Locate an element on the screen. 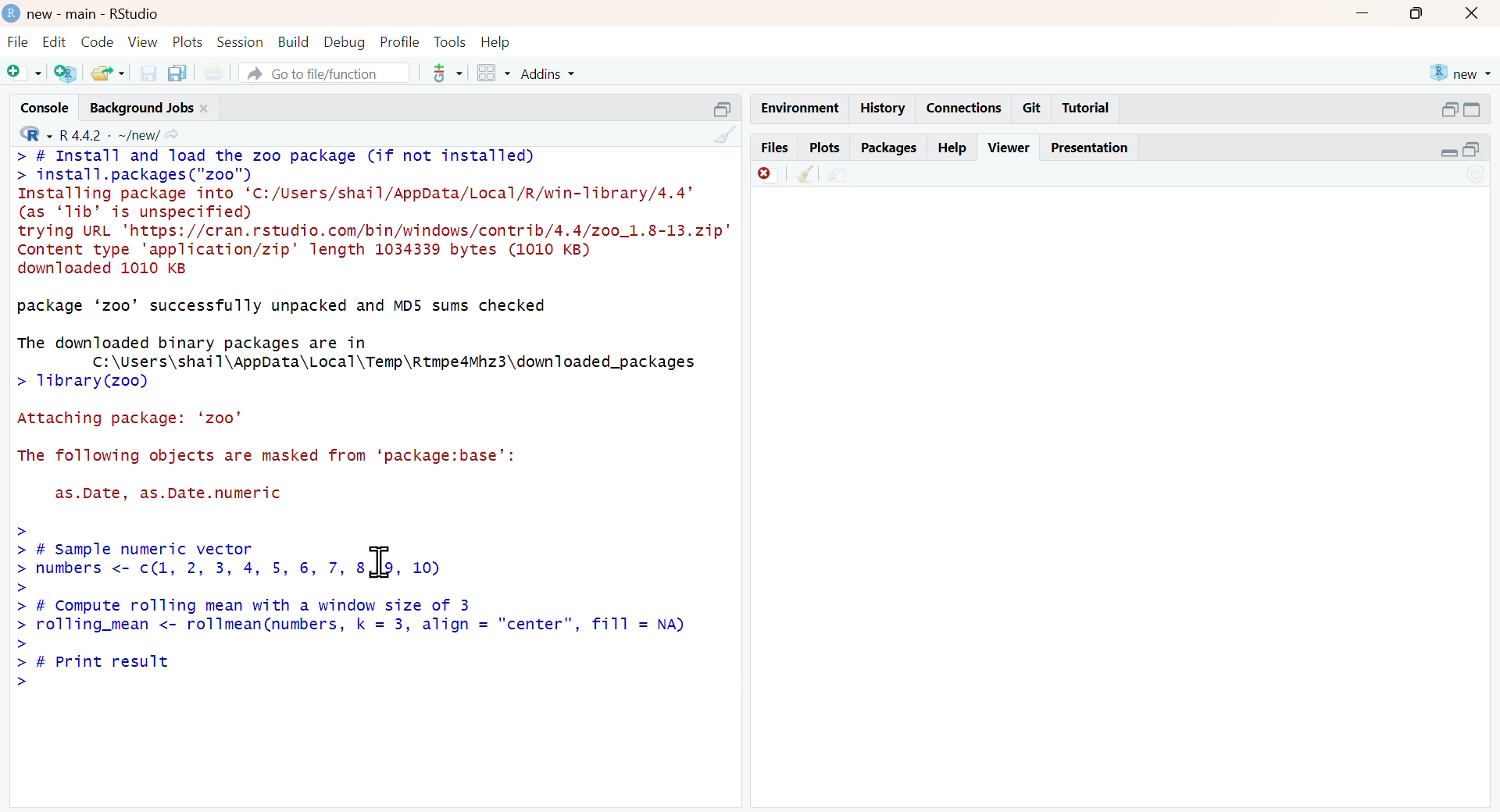 The width and height of the screenshot is (1500, 812). edit is located at coordinates (55, 41).